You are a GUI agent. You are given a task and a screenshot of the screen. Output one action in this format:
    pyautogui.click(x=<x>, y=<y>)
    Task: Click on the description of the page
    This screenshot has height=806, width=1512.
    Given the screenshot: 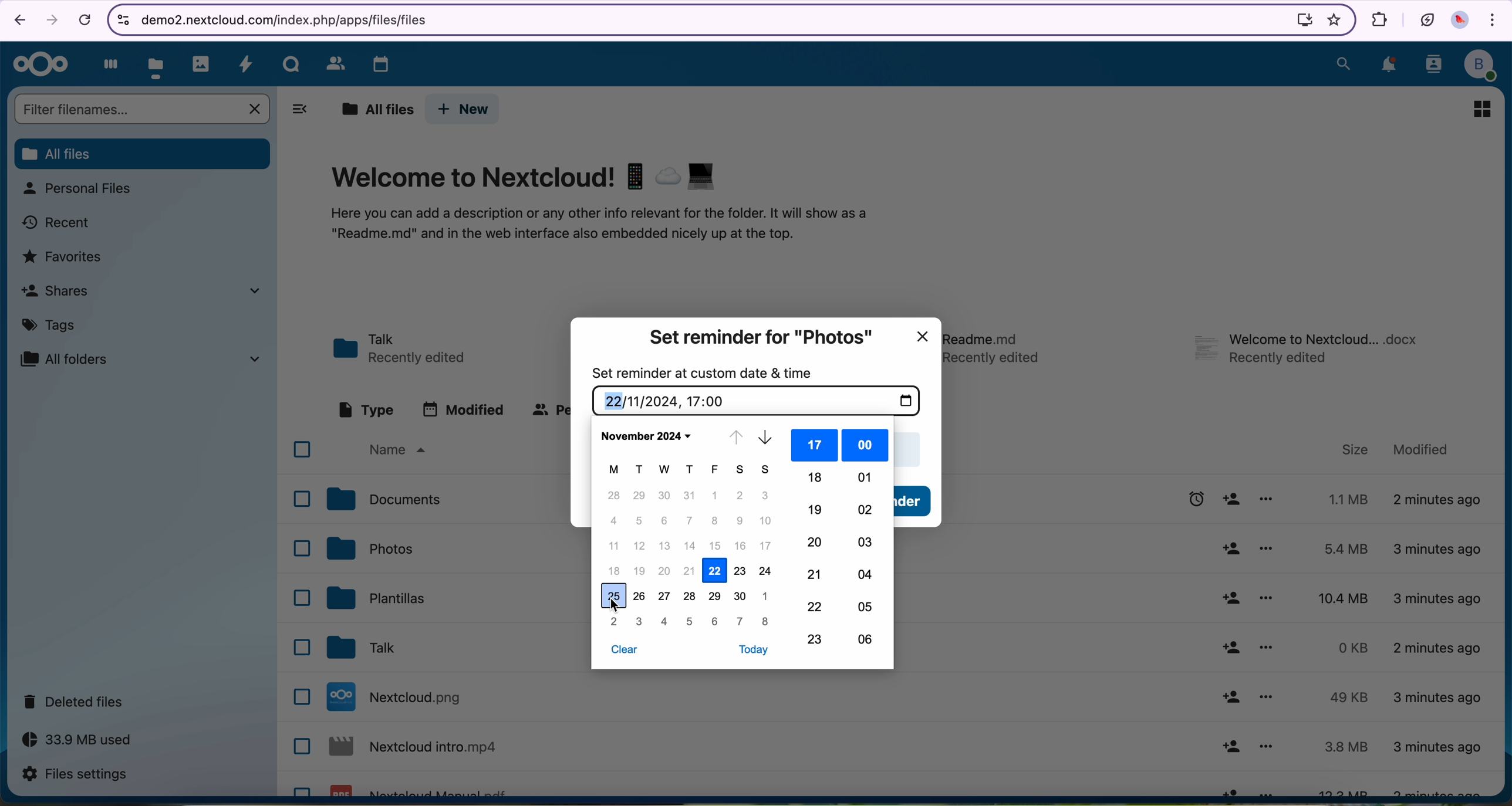 What is the action you would take?
    pyautogui.click(x=603, y=226)
    